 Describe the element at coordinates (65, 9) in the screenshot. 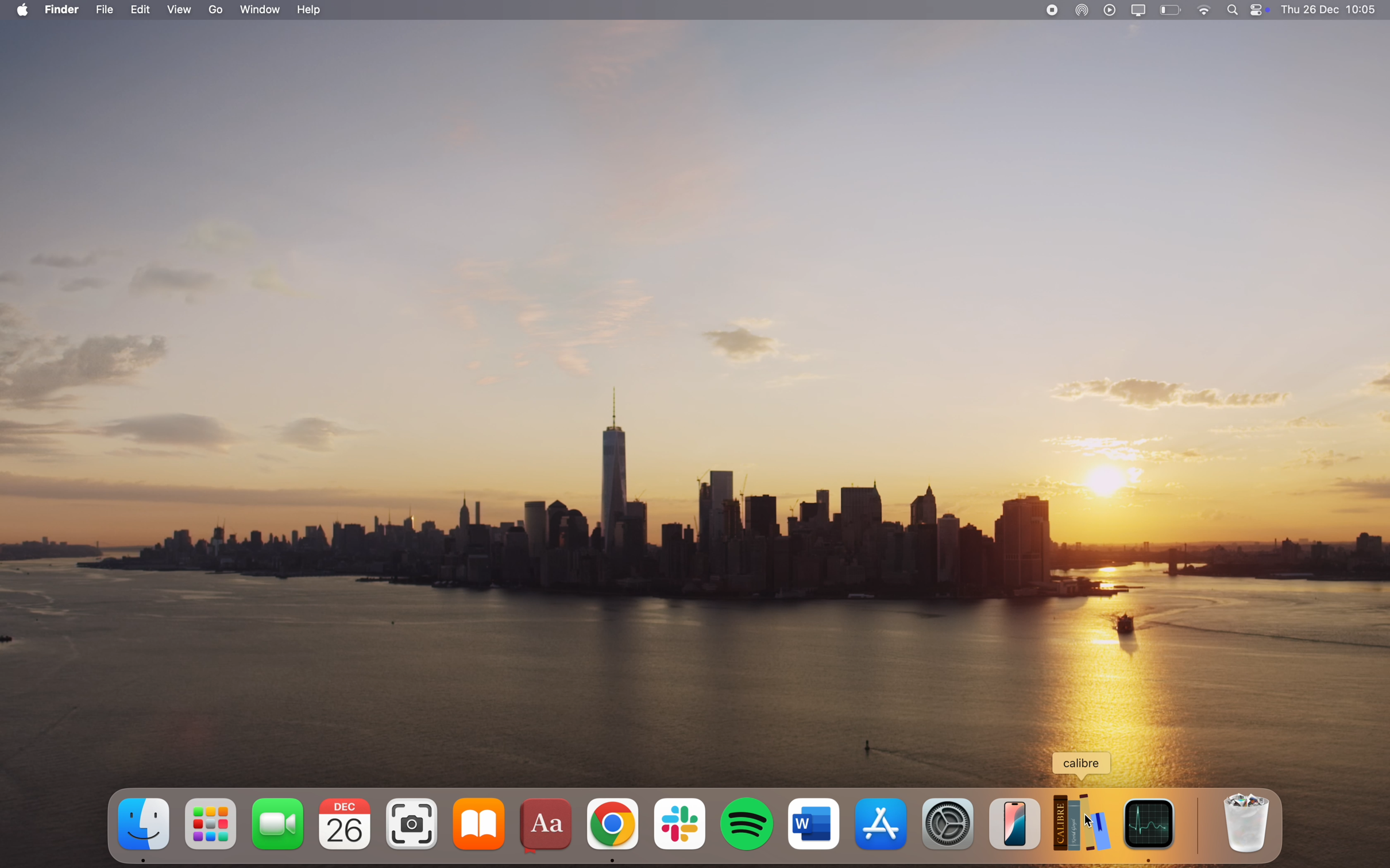

I see `Finder` at that location.